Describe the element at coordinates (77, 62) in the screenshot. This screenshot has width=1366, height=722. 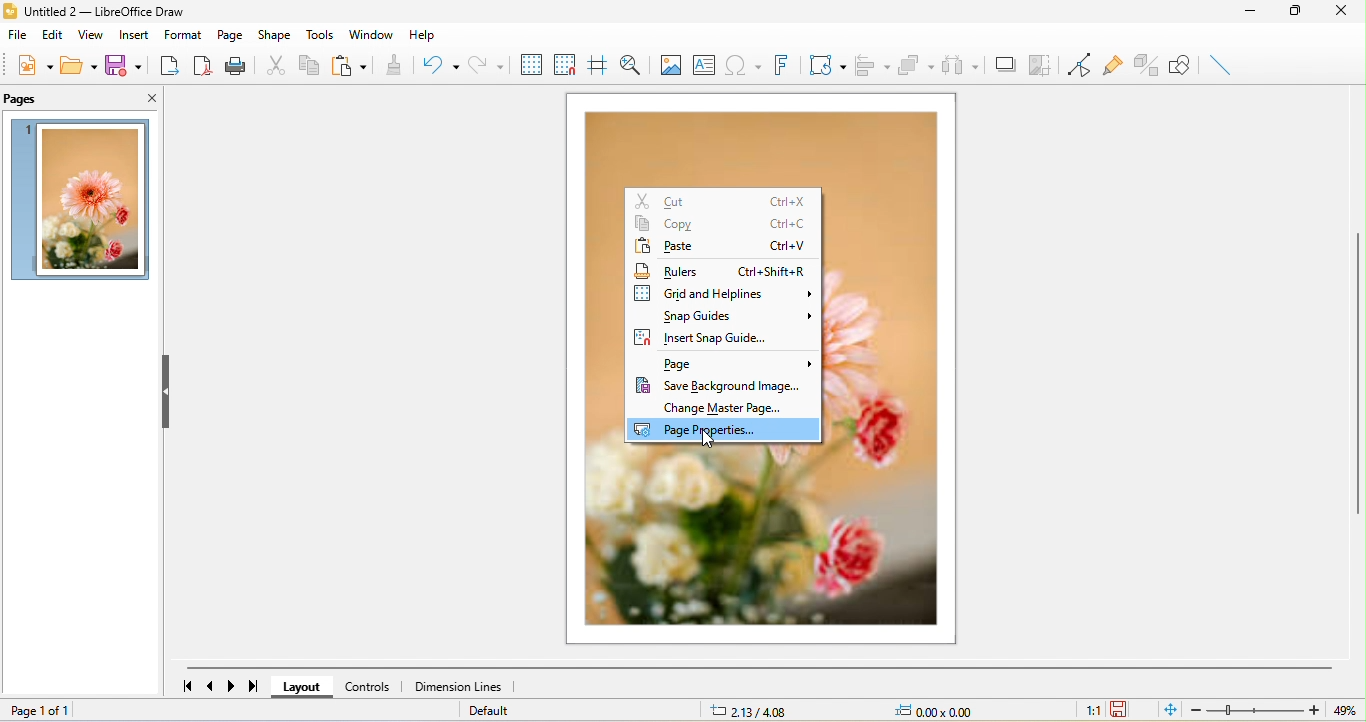
I see `open` at that location.